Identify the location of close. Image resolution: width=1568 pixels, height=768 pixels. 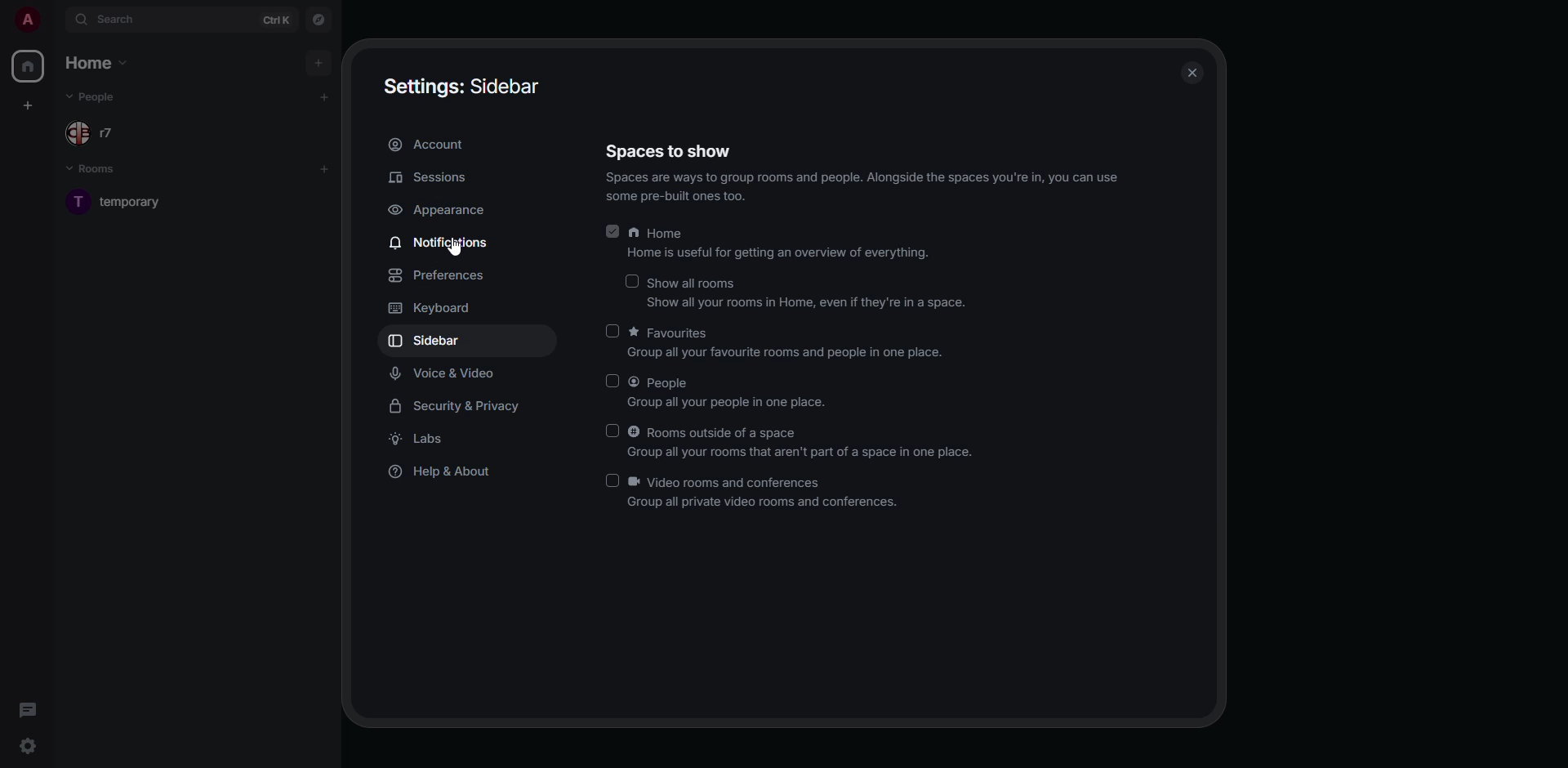
(1192, 74).